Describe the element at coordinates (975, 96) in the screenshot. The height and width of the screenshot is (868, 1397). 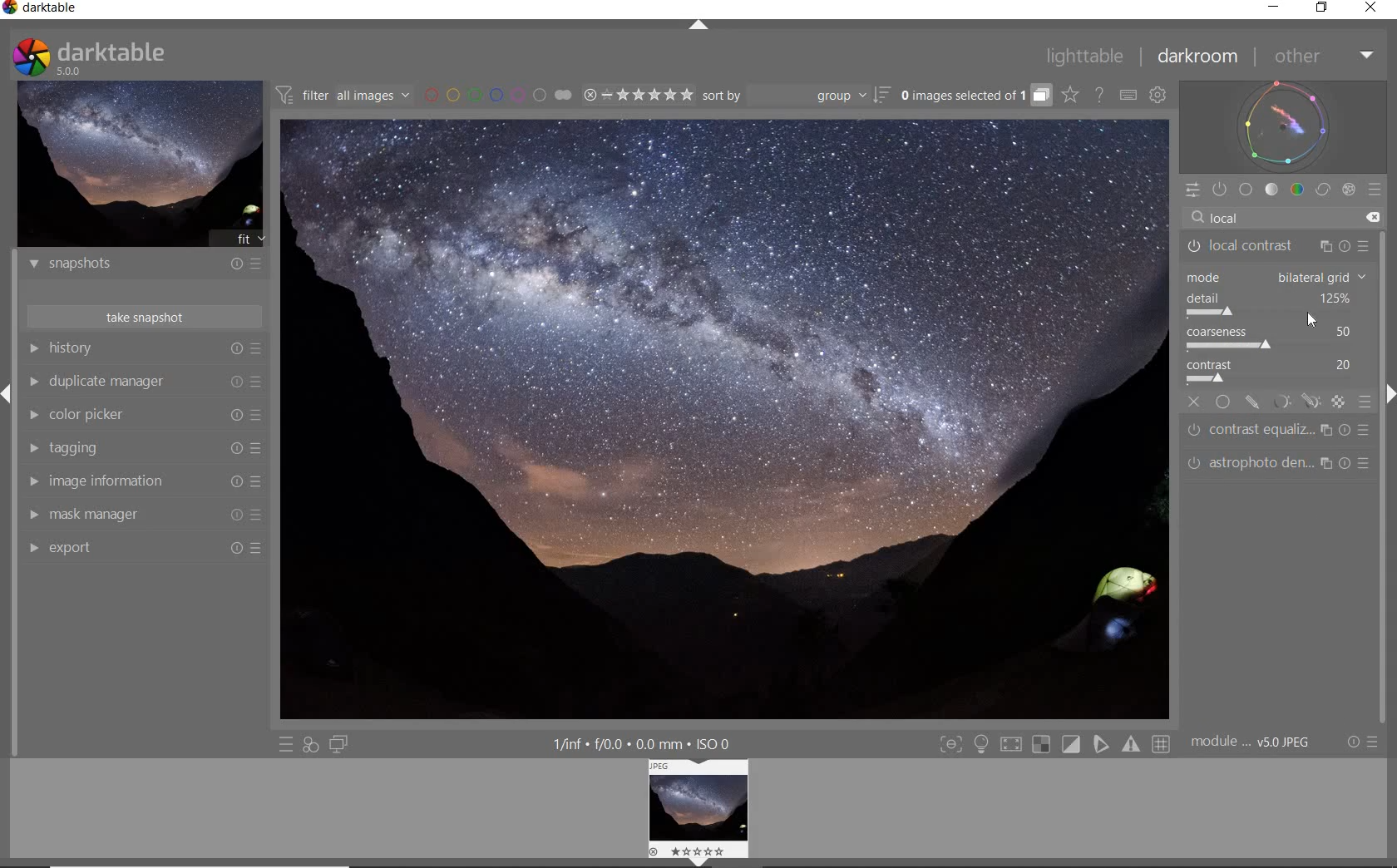
I see `EXPAND GROUPED IMAGES` at that location.